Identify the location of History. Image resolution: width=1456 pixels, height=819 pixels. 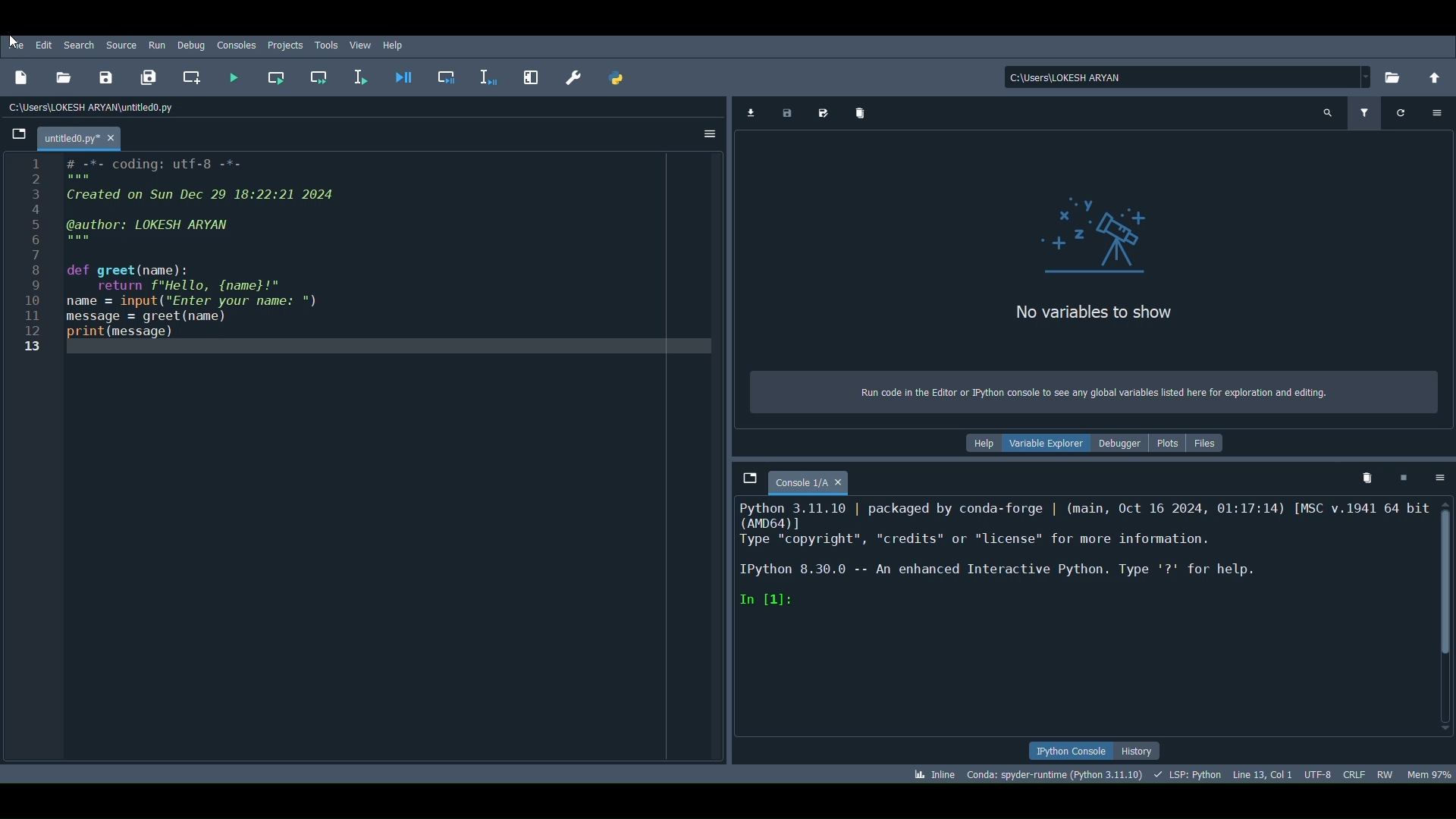
(1136, 751).